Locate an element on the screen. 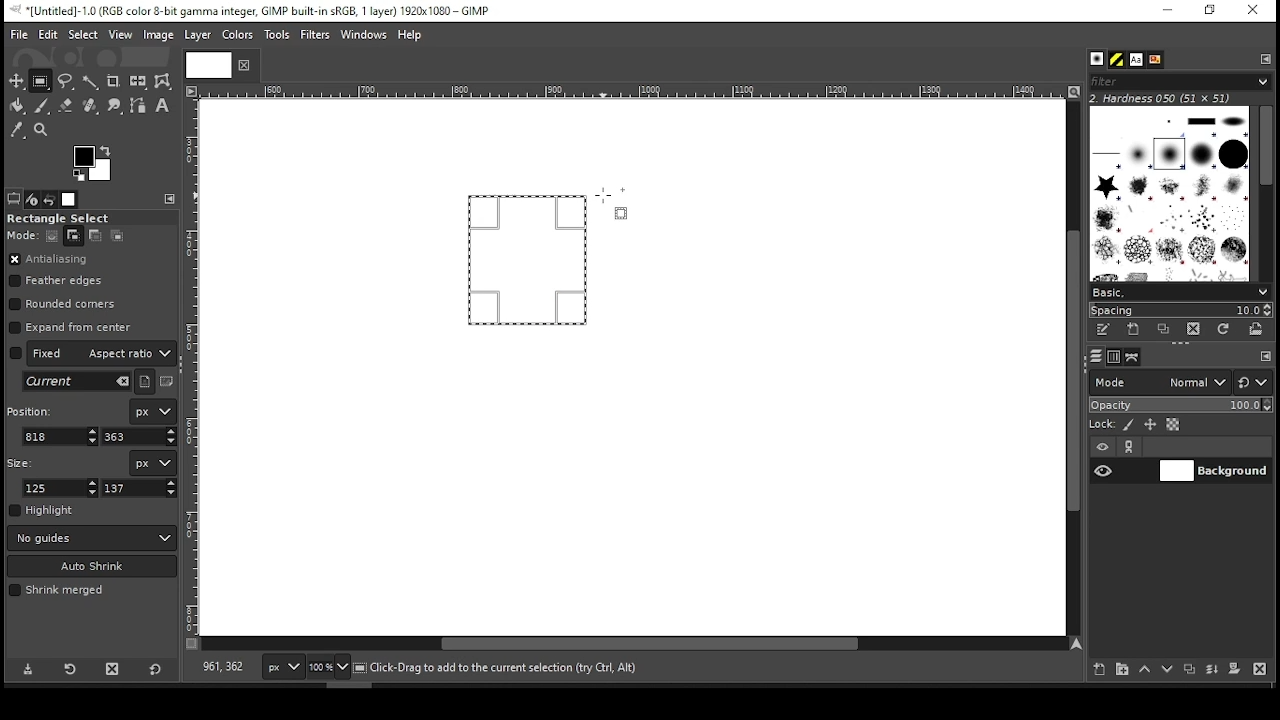 The image size is (1280, 720). antialiasing is located at coordinates (49, 260).